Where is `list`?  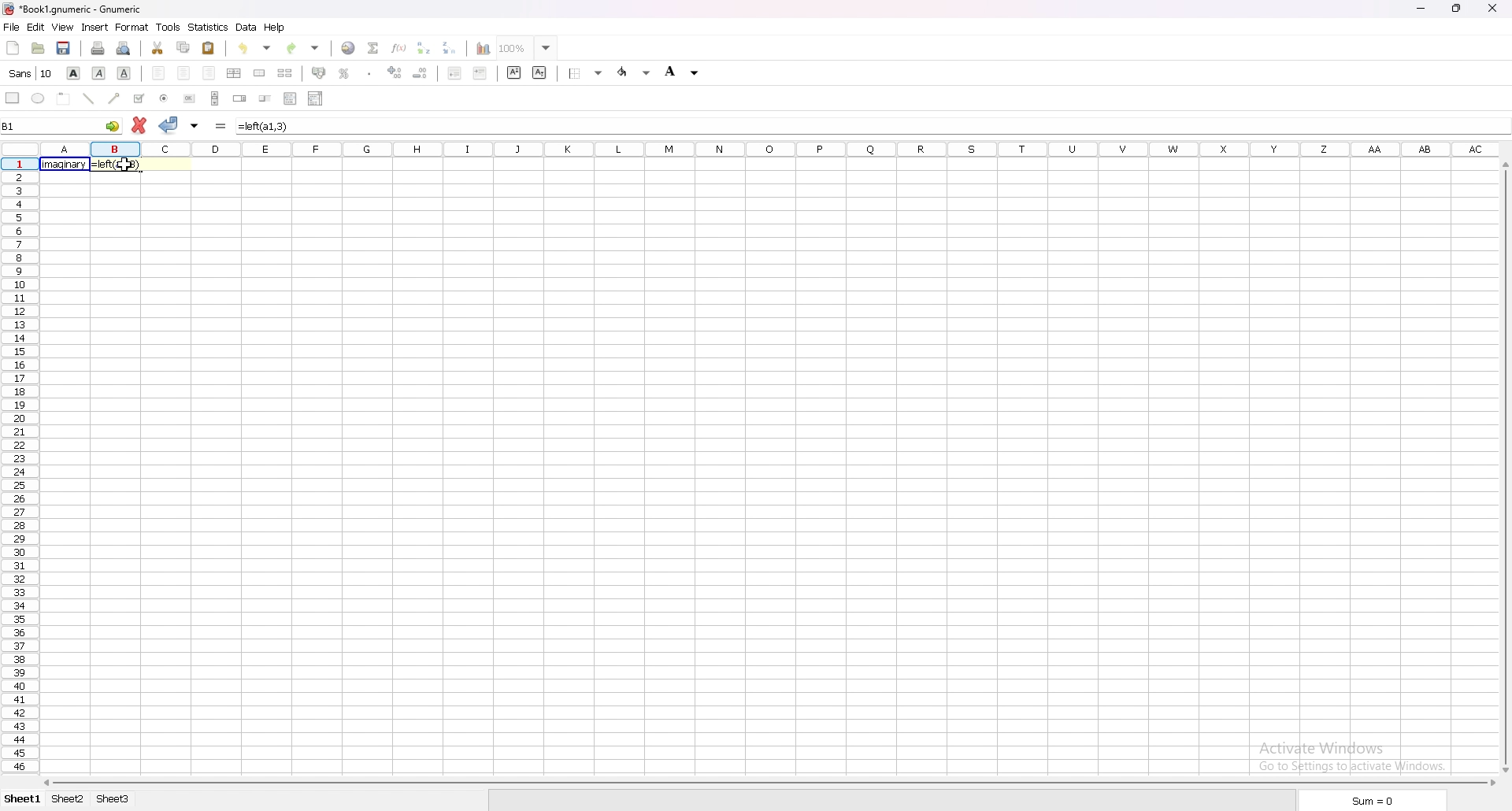
list is located at coordinates (291, 99).